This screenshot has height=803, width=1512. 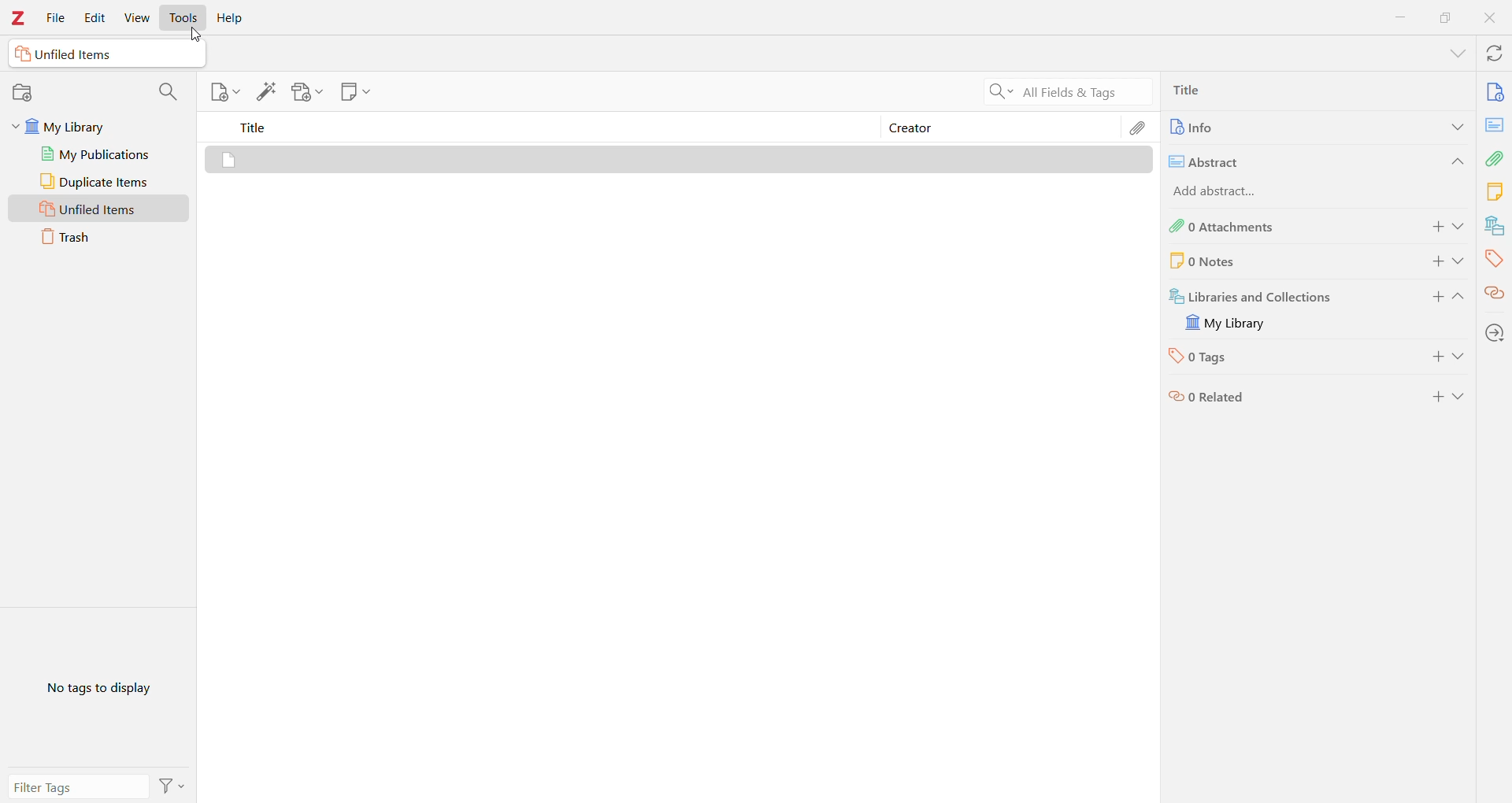 I want to click on Tags, so click(x=1494, y=260).